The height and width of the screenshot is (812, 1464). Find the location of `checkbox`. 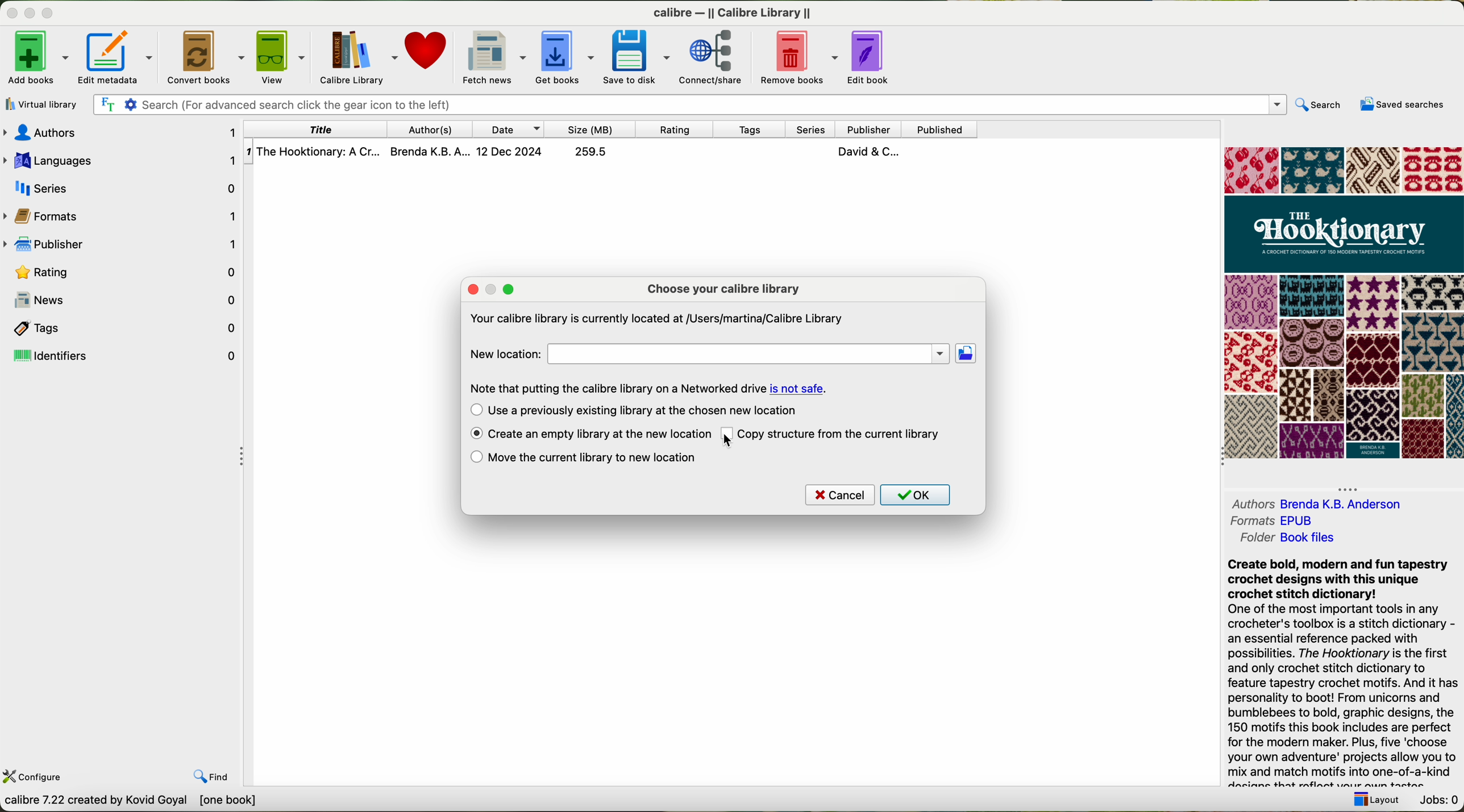

checkbox is located at coordinates (474, 458).